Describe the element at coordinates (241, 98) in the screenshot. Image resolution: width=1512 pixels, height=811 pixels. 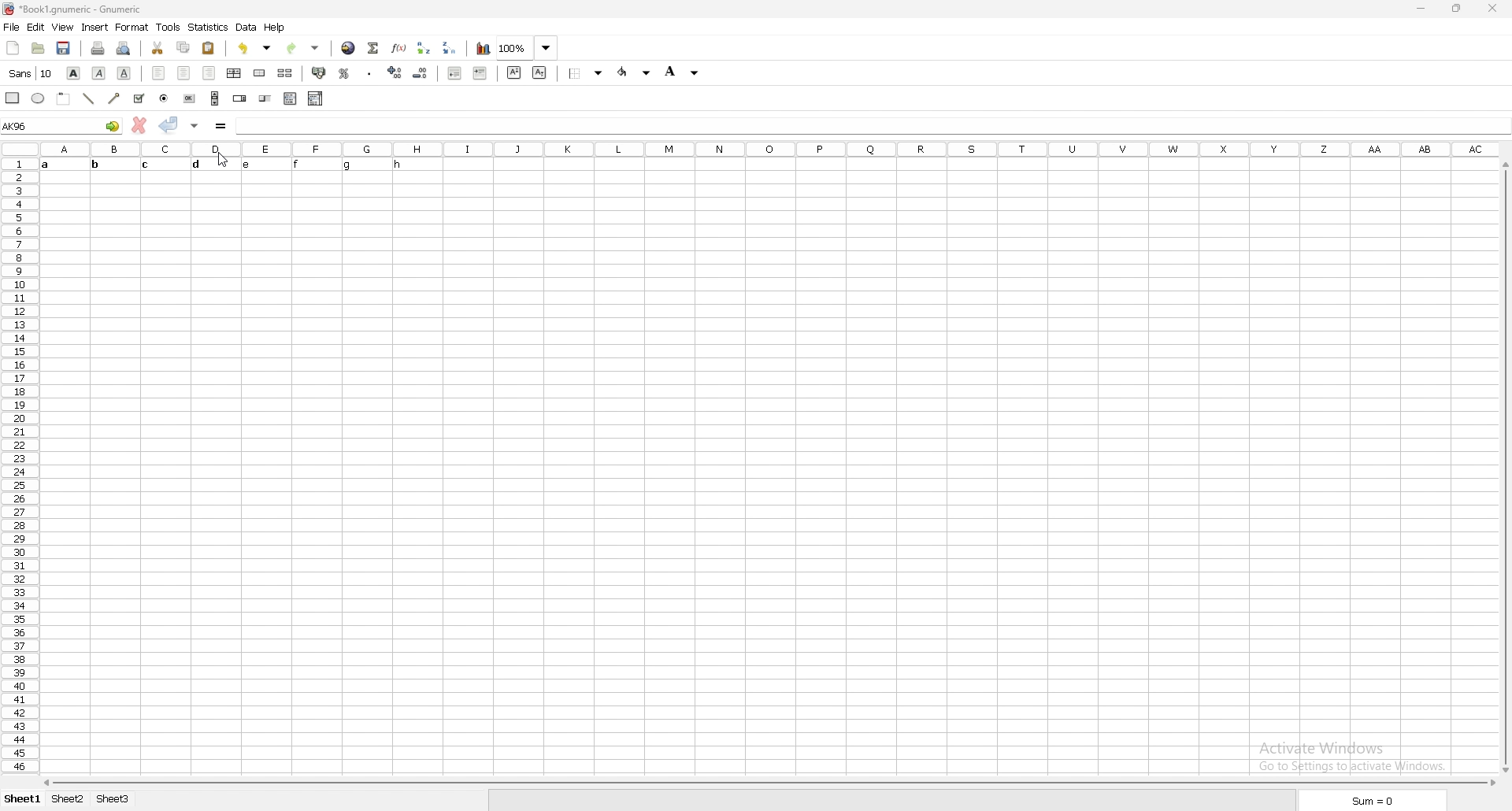
I see `spin button` at that location.